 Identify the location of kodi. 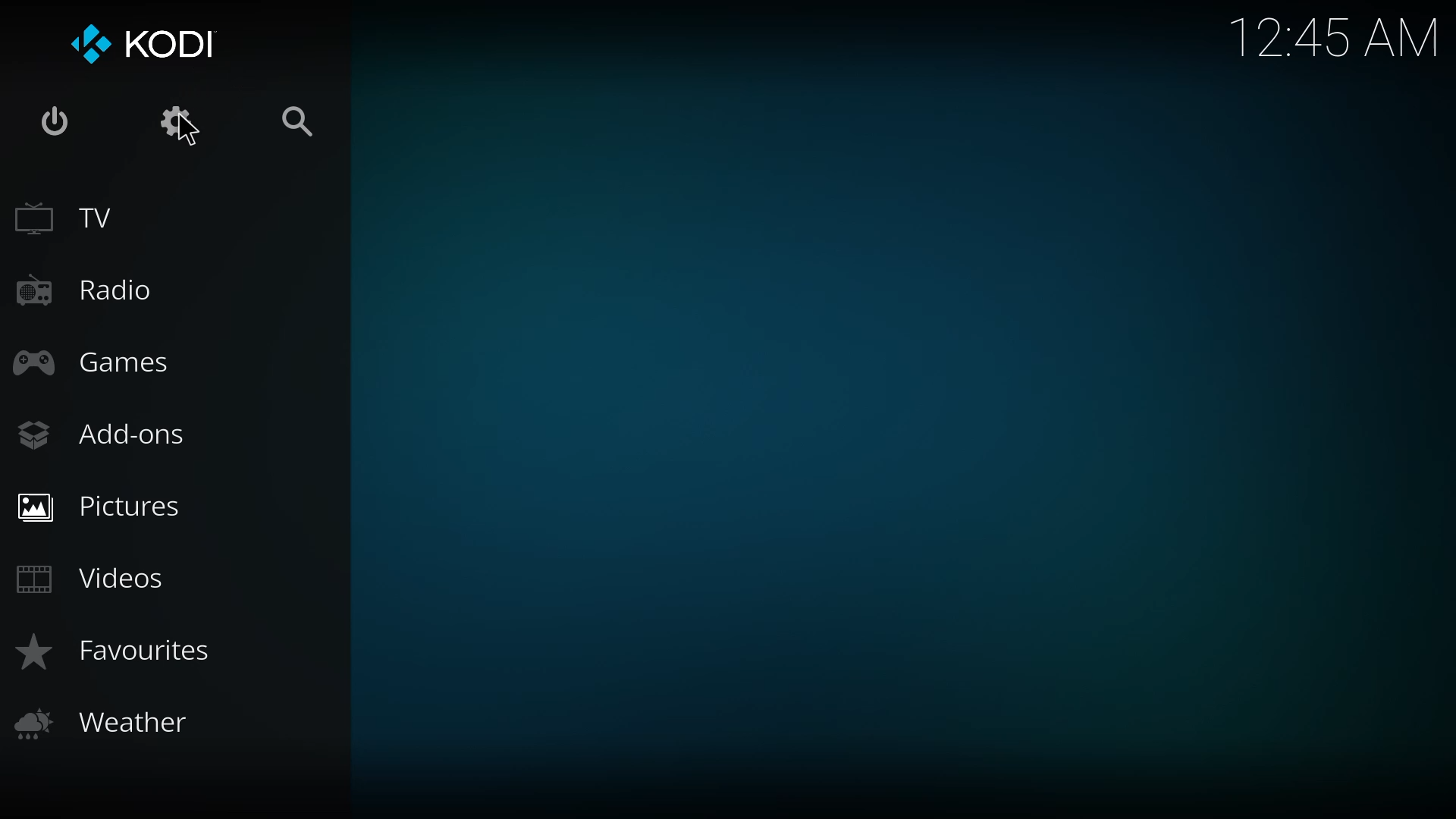
(152, 43).